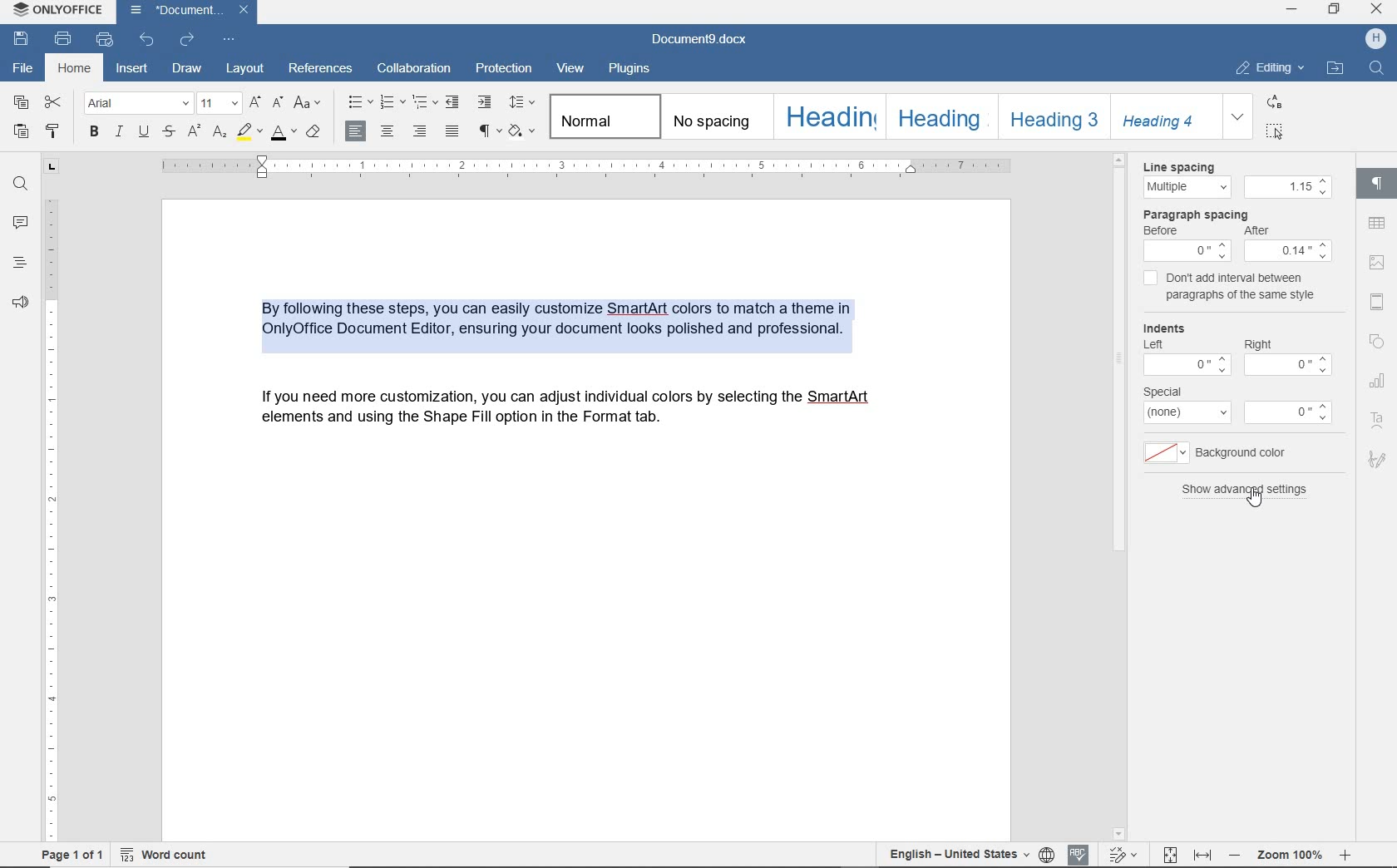 The image size is (1397, 868). I want to click on select all, so click(1274, 133).